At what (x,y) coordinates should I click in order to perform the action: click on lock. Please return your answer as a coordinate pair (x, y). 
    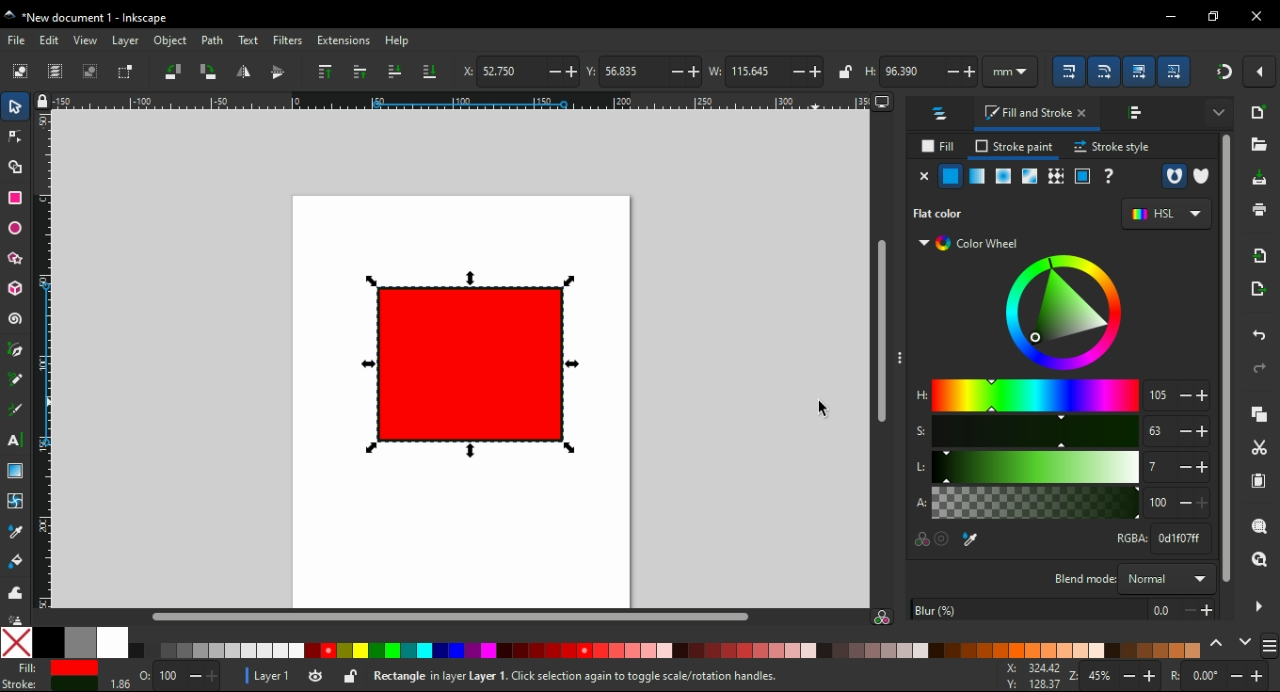
    Looking at the image, I should click on (41, 101).